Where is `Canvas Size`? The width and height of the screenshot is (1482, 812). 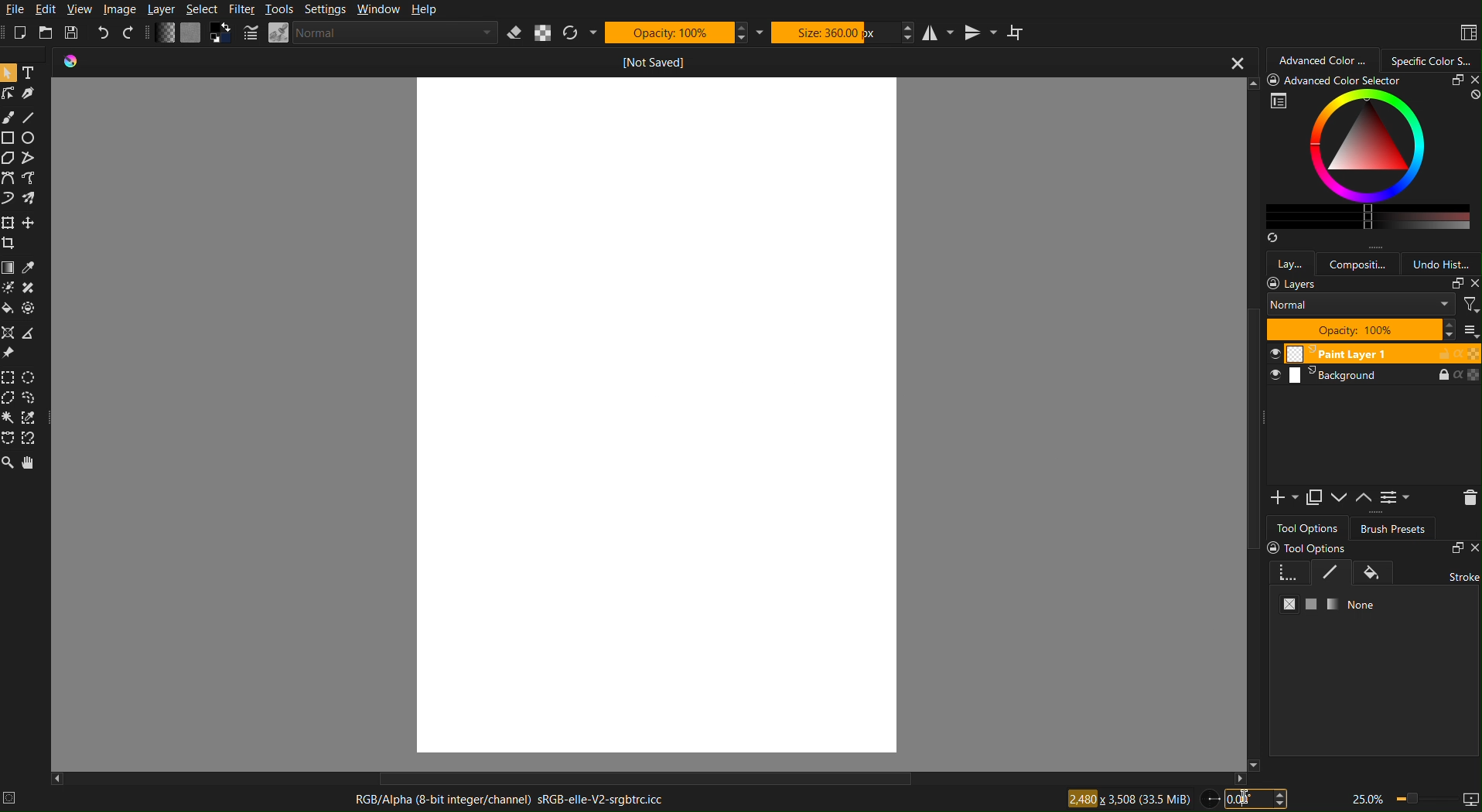 Canvas Size is located at coordinates (1127, 799).